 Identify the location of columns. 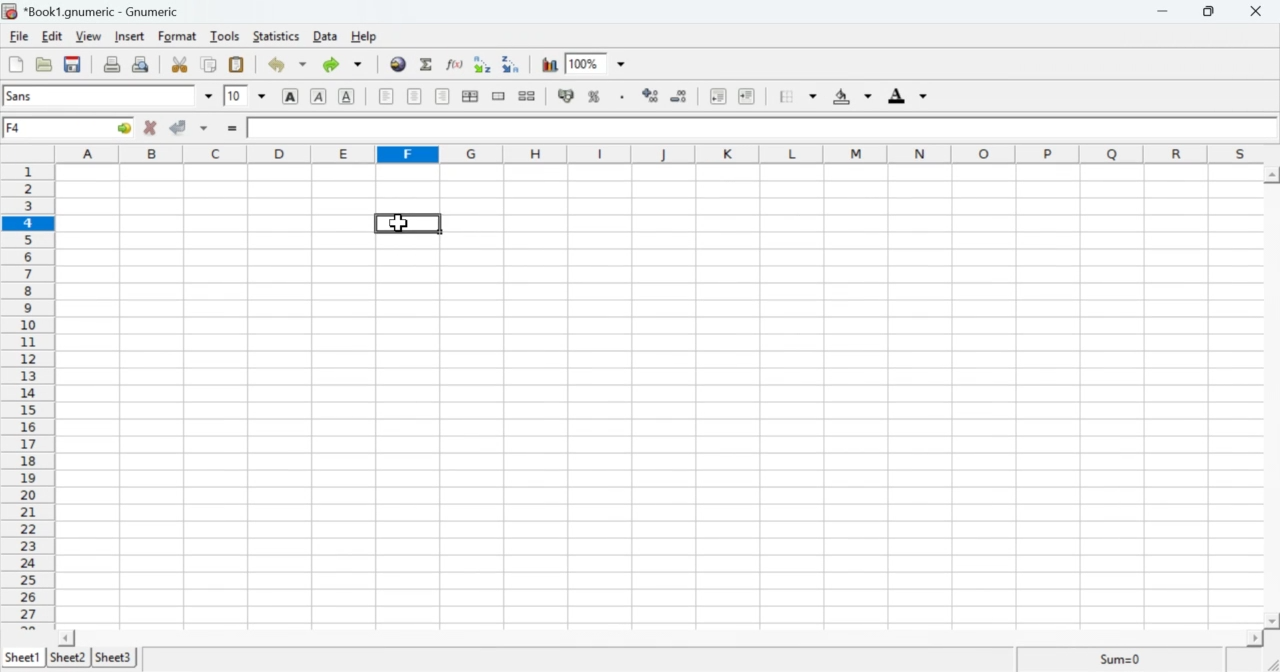
(663, 154).